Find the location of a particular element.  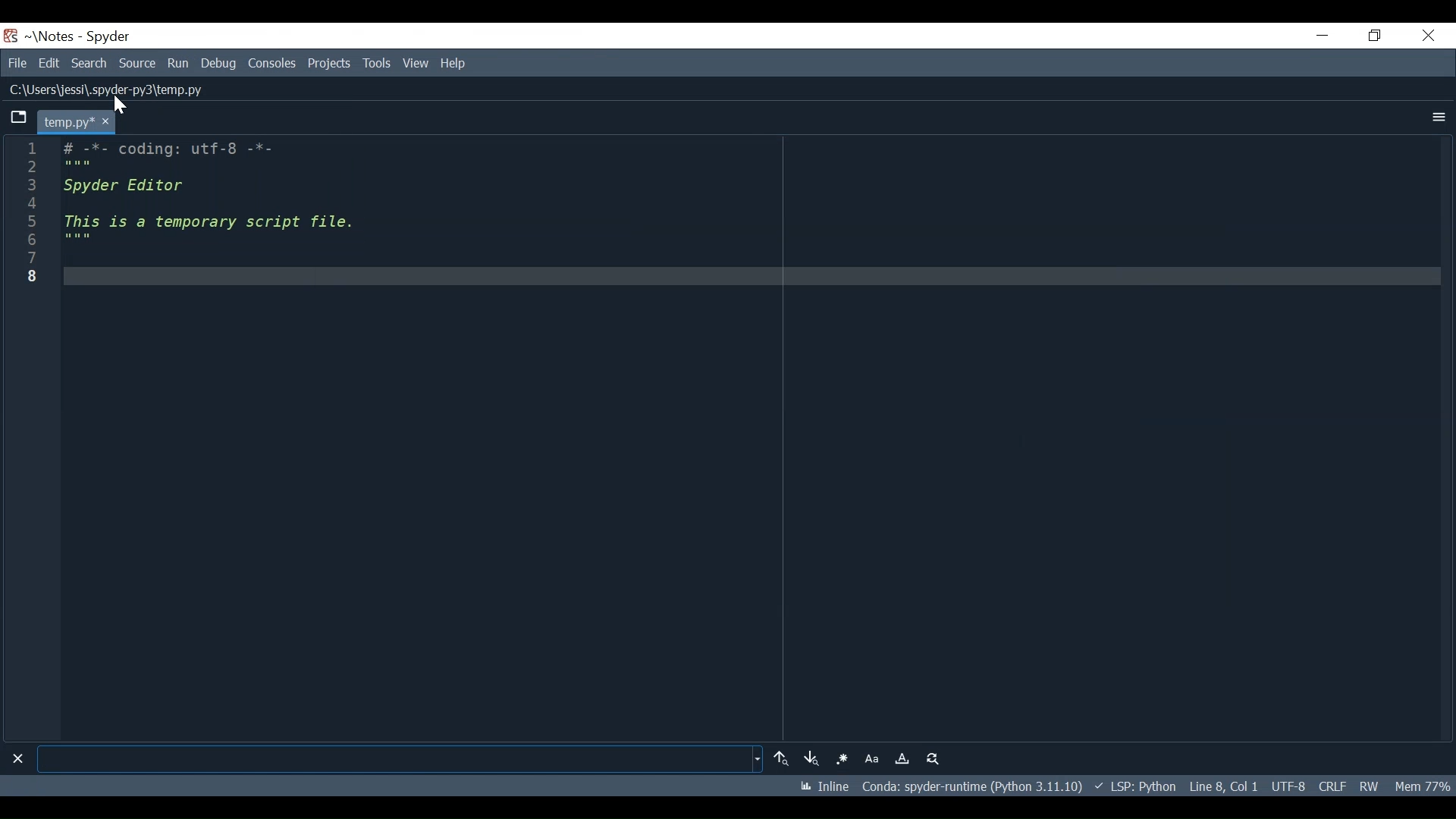

Project name is located at coordinates (49, 36).